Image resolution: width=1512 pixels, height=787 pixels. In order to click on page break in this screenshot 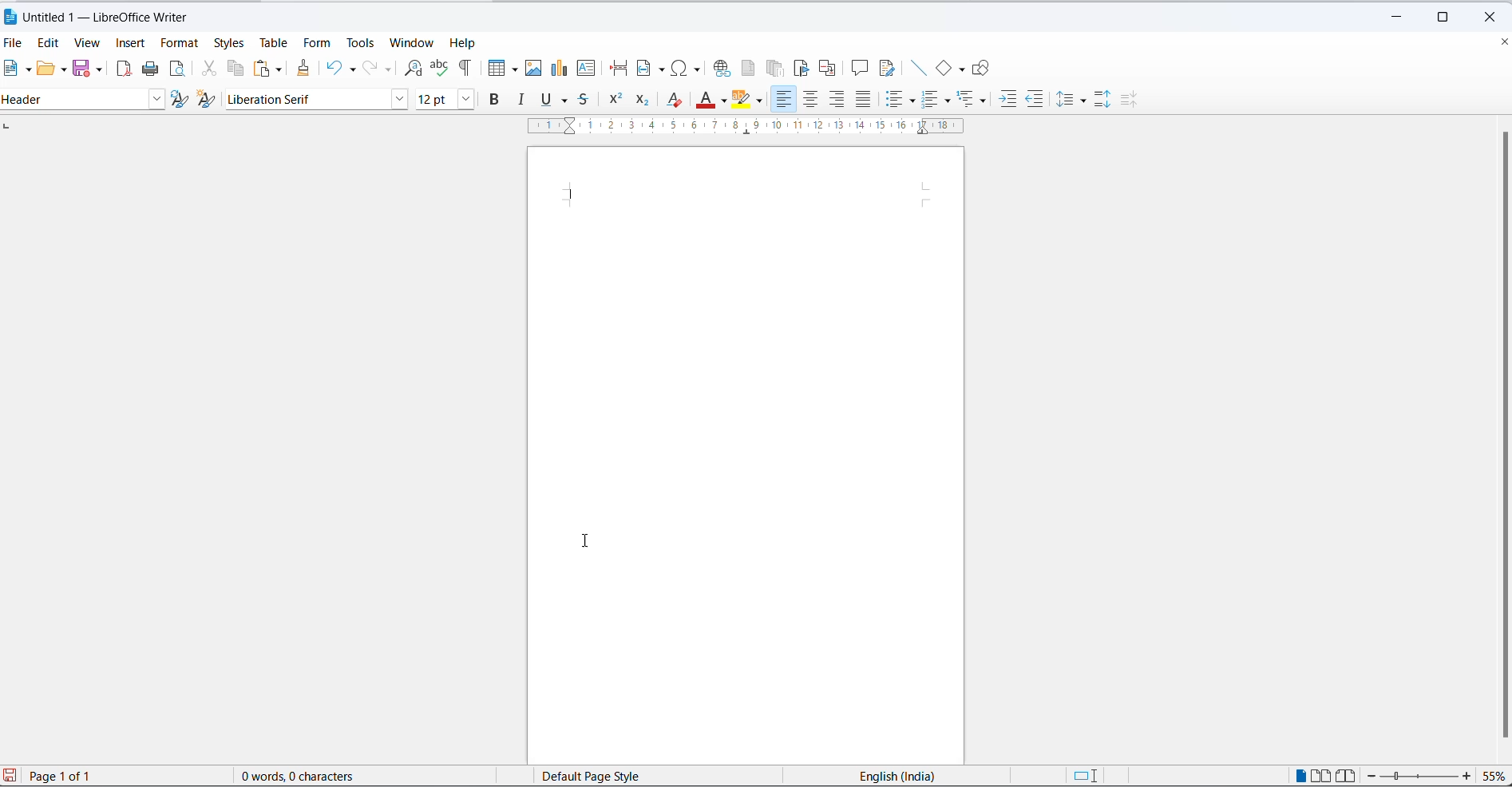, I will do `click(618, 69)`.